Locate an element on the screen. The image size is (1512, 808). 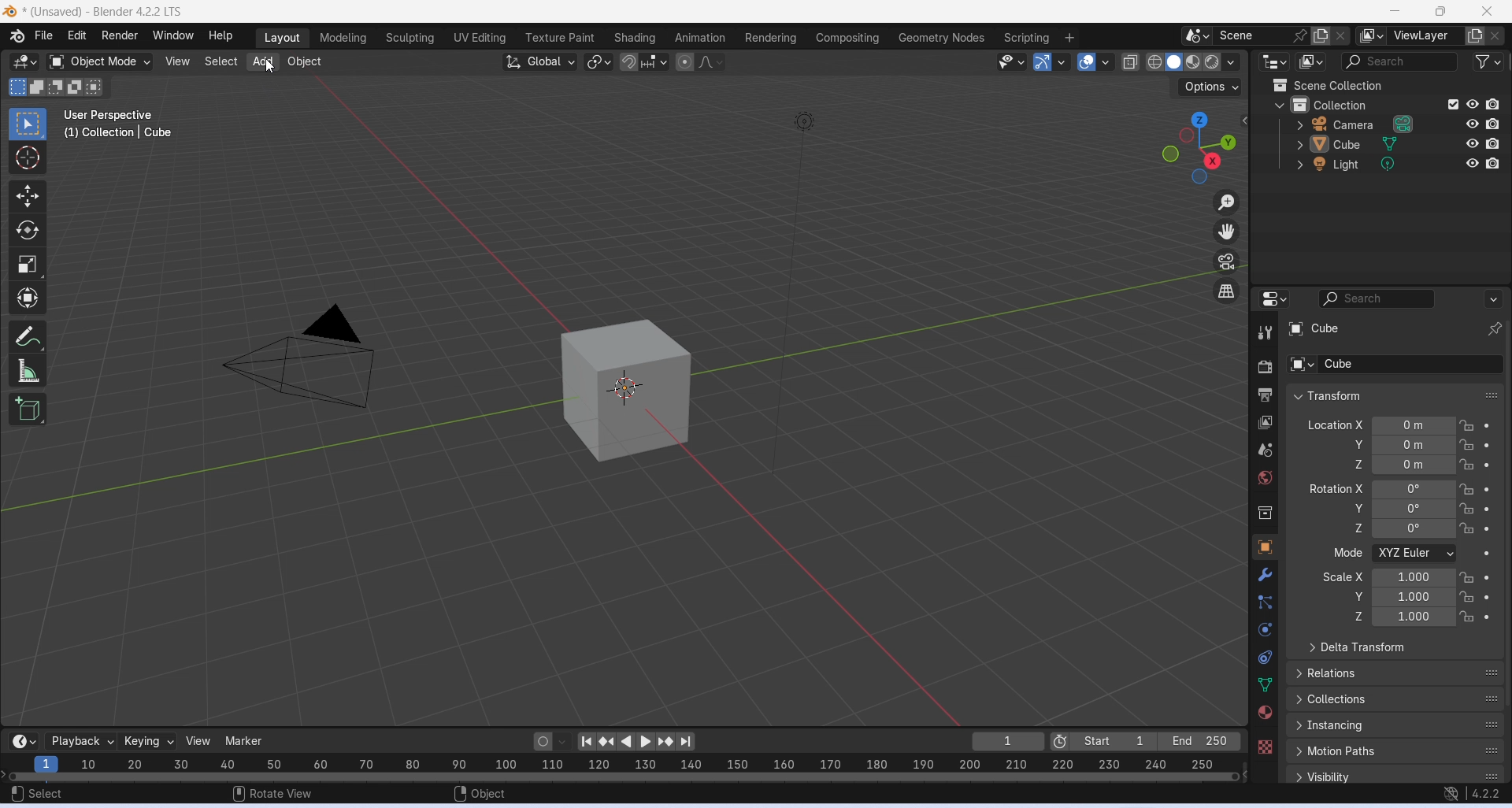
animate property is located at coordinates (1486, 577).